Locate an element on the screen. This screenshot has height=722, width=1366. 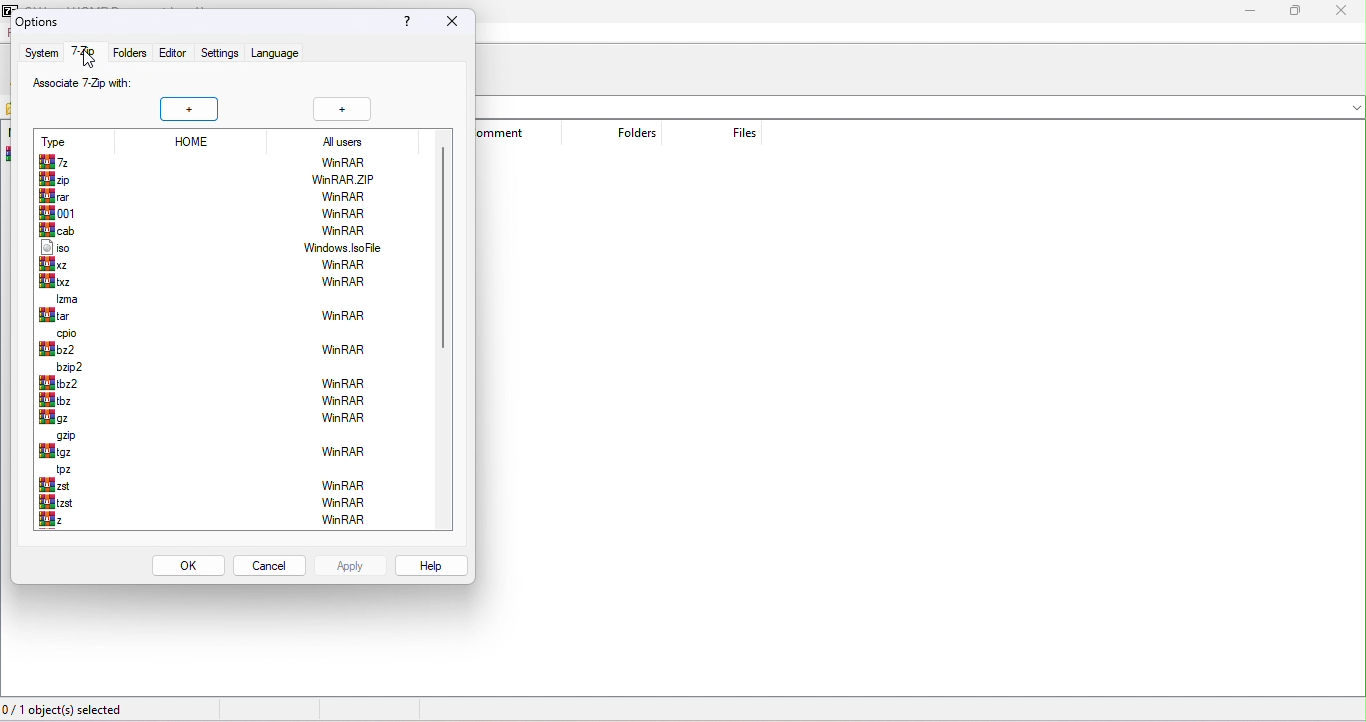
winrar is located at coordinates (345, 348).